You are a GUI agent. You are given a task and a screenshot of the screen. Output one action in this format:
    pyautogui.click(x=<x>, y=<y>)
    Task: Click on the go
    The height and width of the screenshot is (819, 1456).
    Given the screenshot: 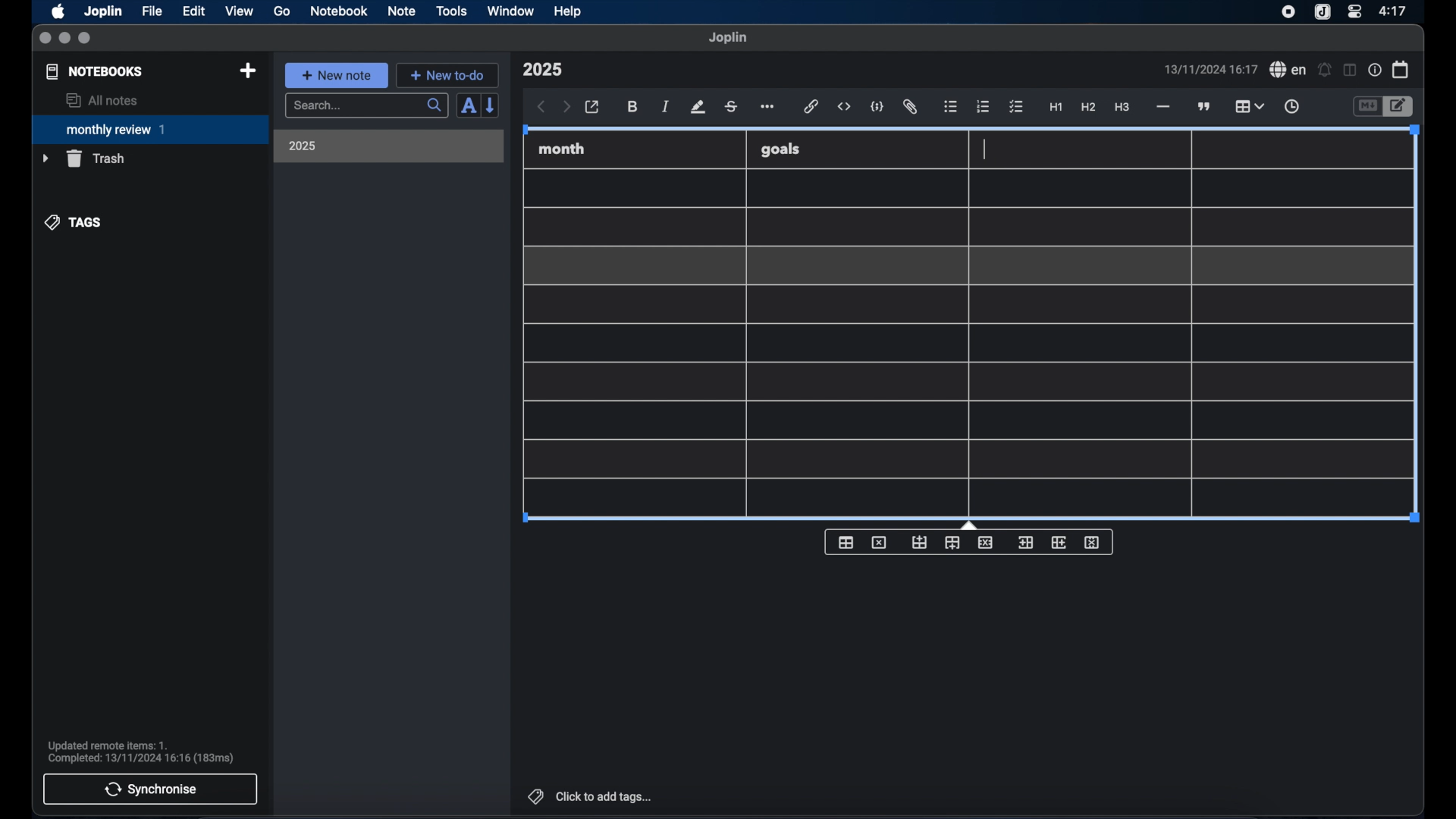 What is the action you would take?
    pyautogui.click(x=282, y=11)
    